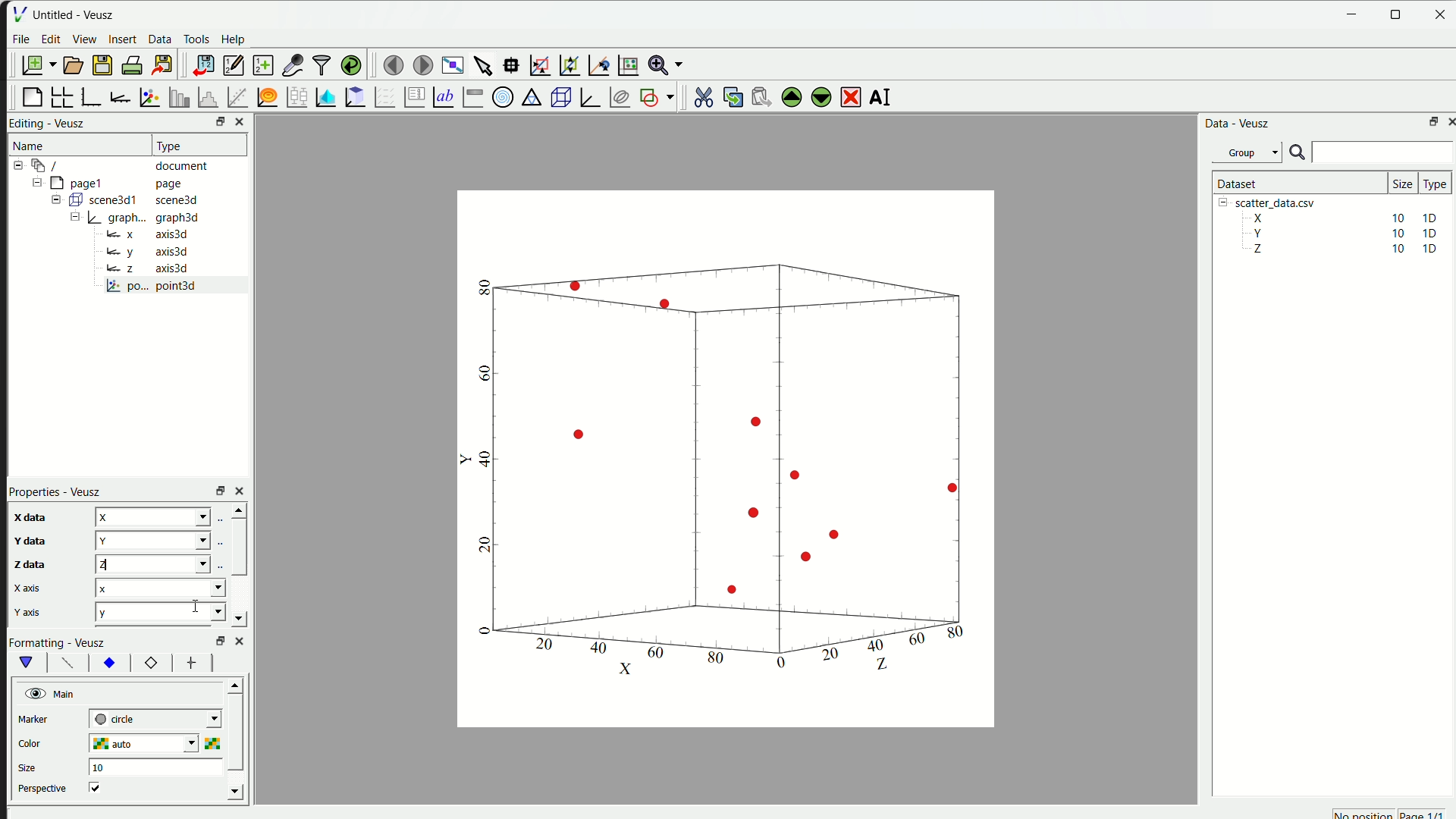 Image resolution: width=1456 pixels, height=819 pixels. Describe the element at coordinates (142, 219) in the screenshot. I see `= | graph... graph3d` at that location.